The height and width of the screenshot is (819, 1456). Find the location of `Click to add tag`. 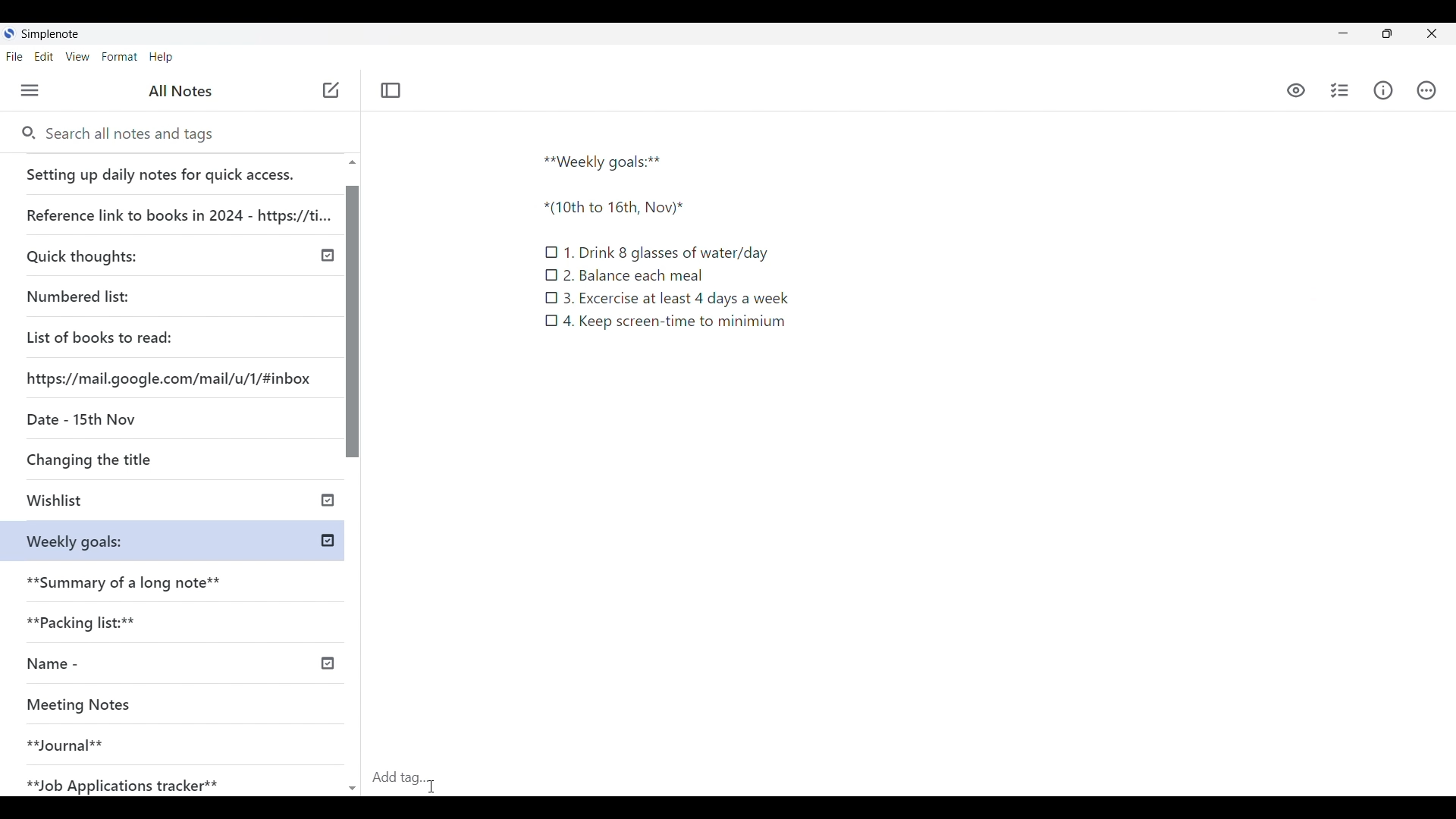

Click to add tag is located at coordinates (406, 773).